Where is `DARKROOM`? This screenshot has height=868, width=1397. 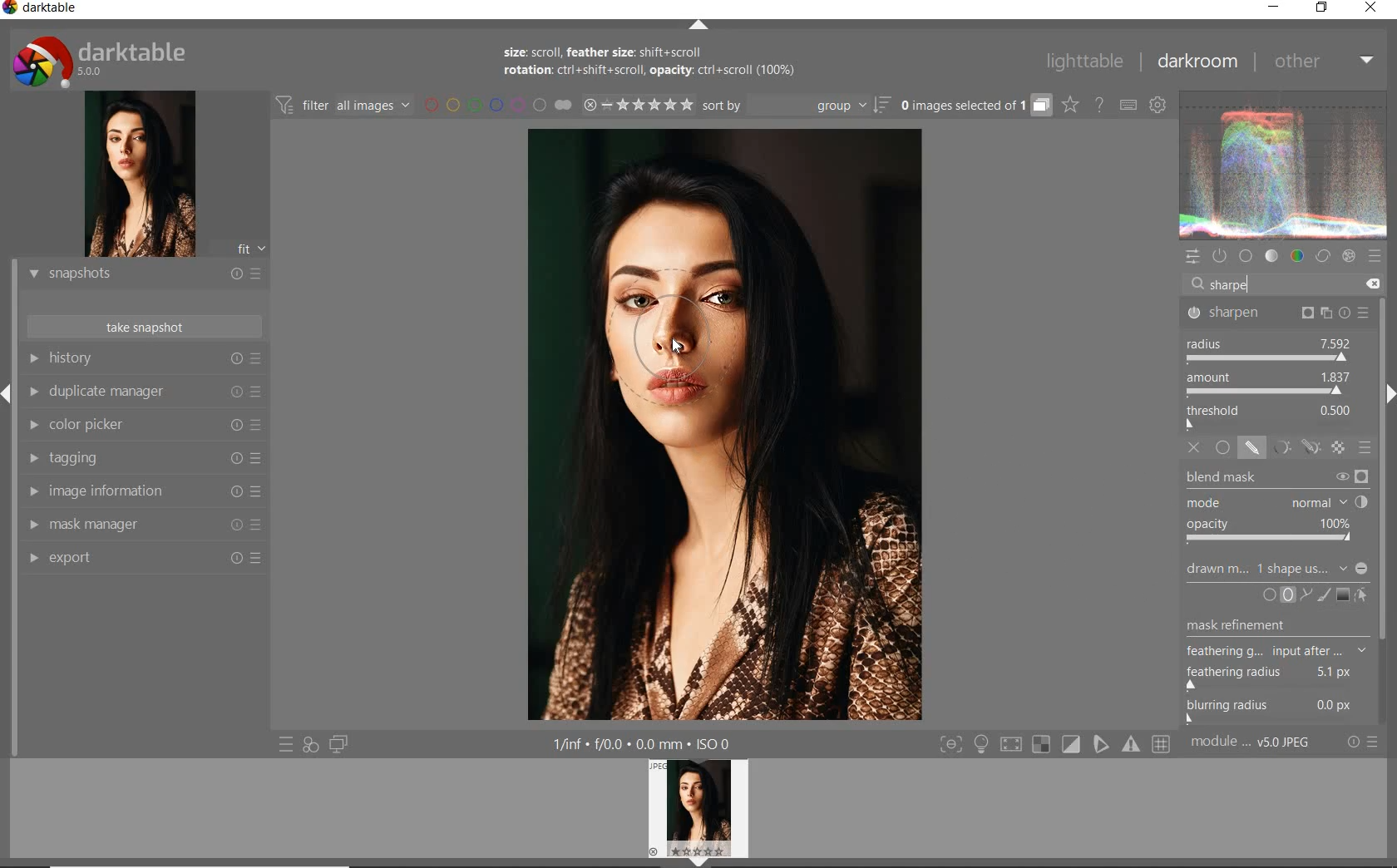 DARKROOM is located at coordinates (1197, 62).